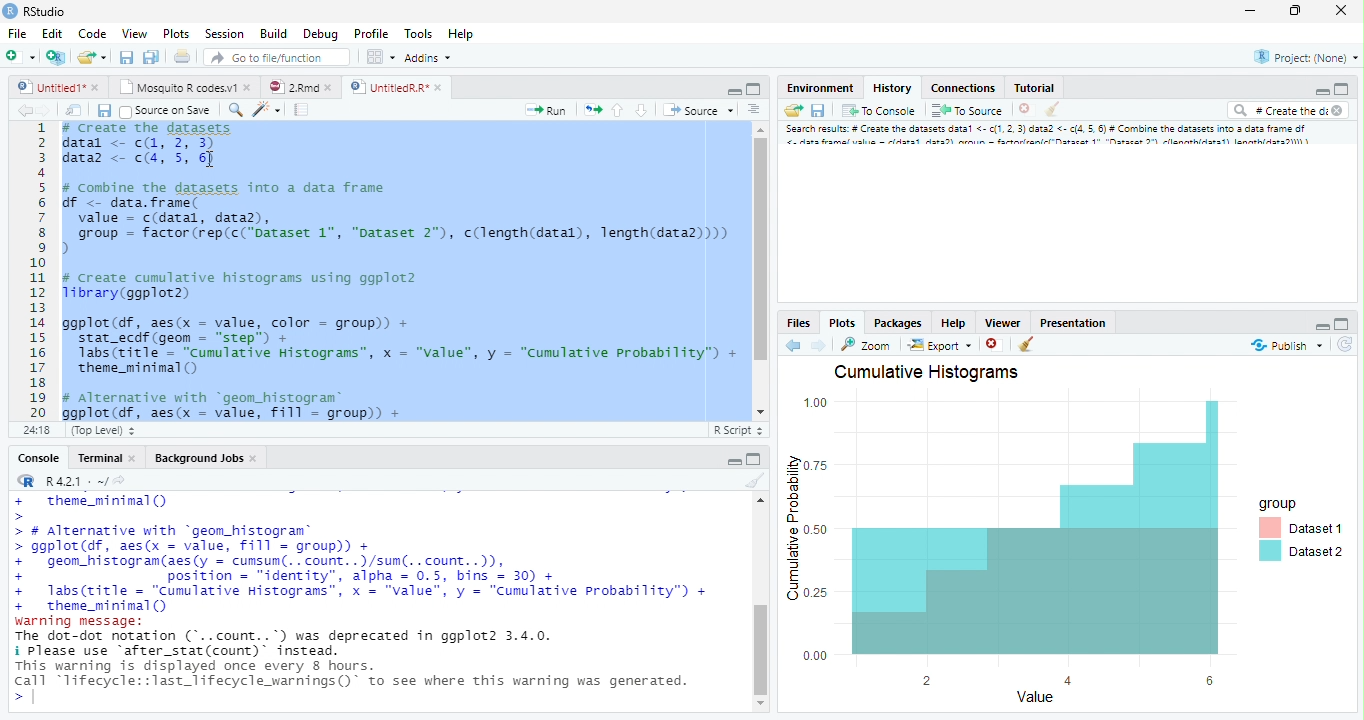  Describe the element at coordinates (795, 113) in the screenshot. I see `Load Workspace` at that location.